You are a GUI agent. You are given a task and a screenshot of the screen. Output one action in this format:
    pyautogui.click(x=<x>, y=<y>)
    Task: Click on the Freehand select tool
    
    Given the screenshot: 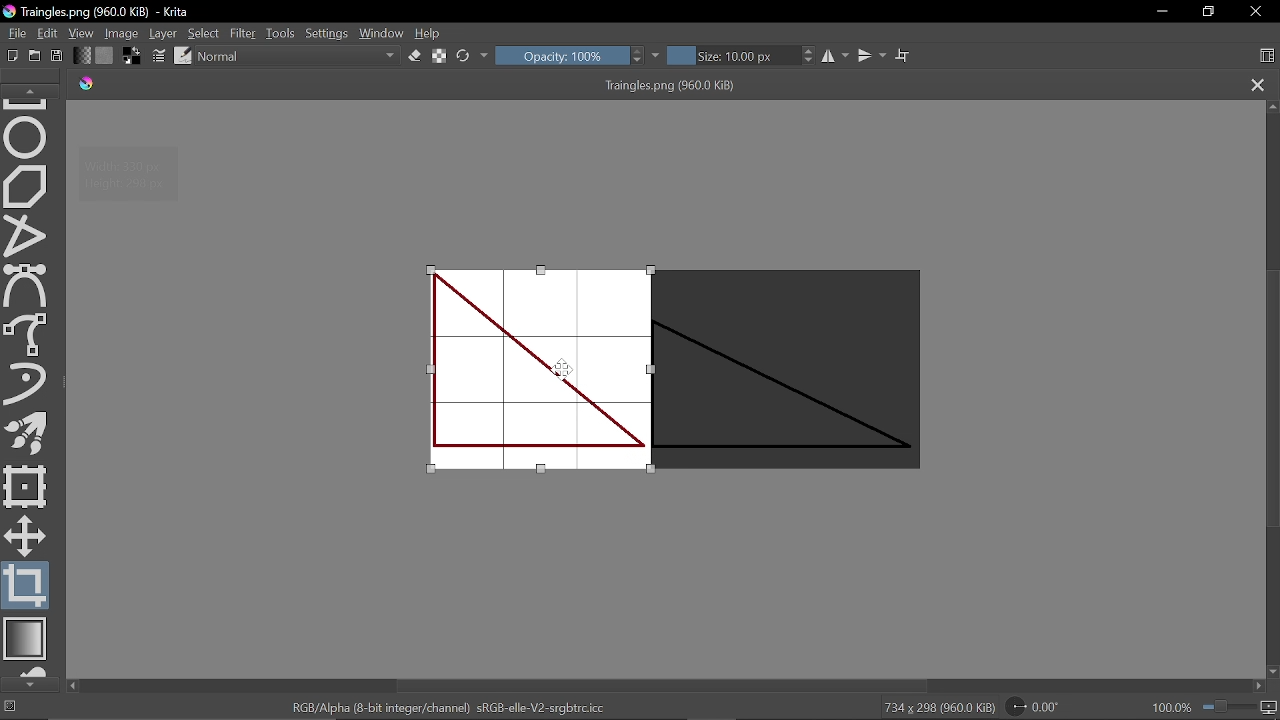 What is the action you would take?
    pyautogui.click(x=28, y=333)
    